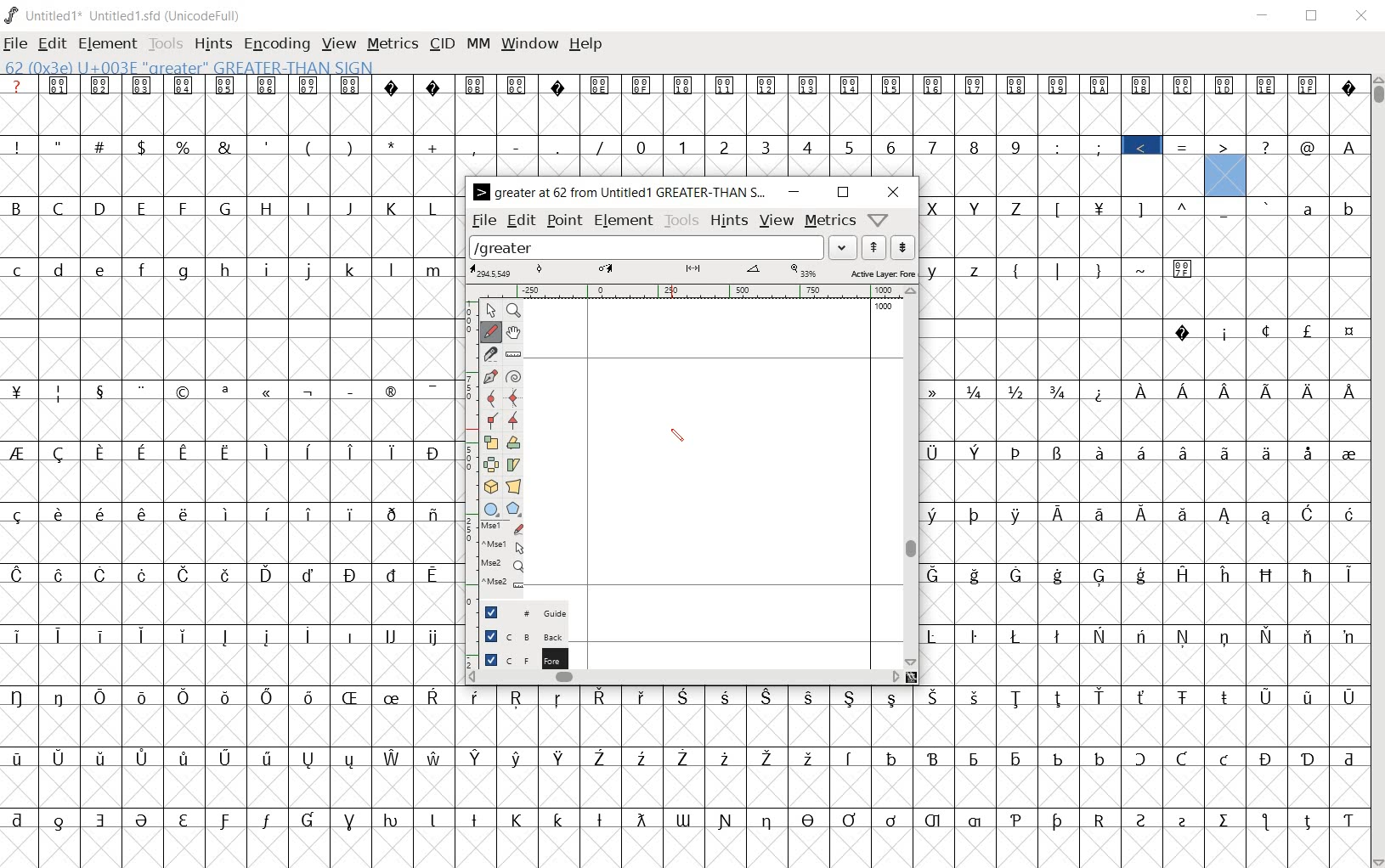  What do you see at coordinates (275, 44) in the screenshot?
I see `encoding` at bounding box center [275, 44].